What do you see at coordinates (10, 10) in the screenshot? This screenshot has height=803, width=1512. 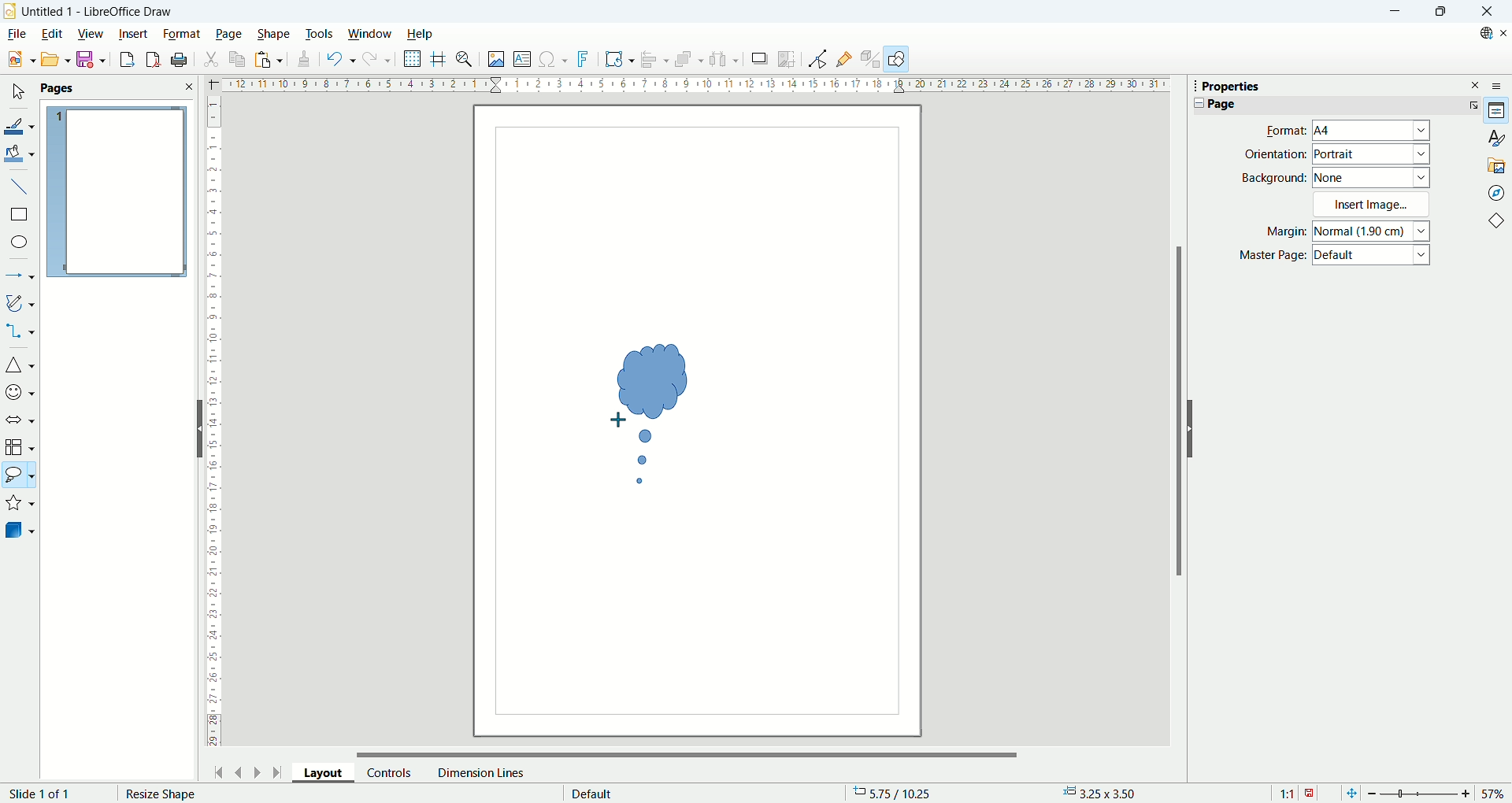 I see `logo` at bounding box center [10, 10].